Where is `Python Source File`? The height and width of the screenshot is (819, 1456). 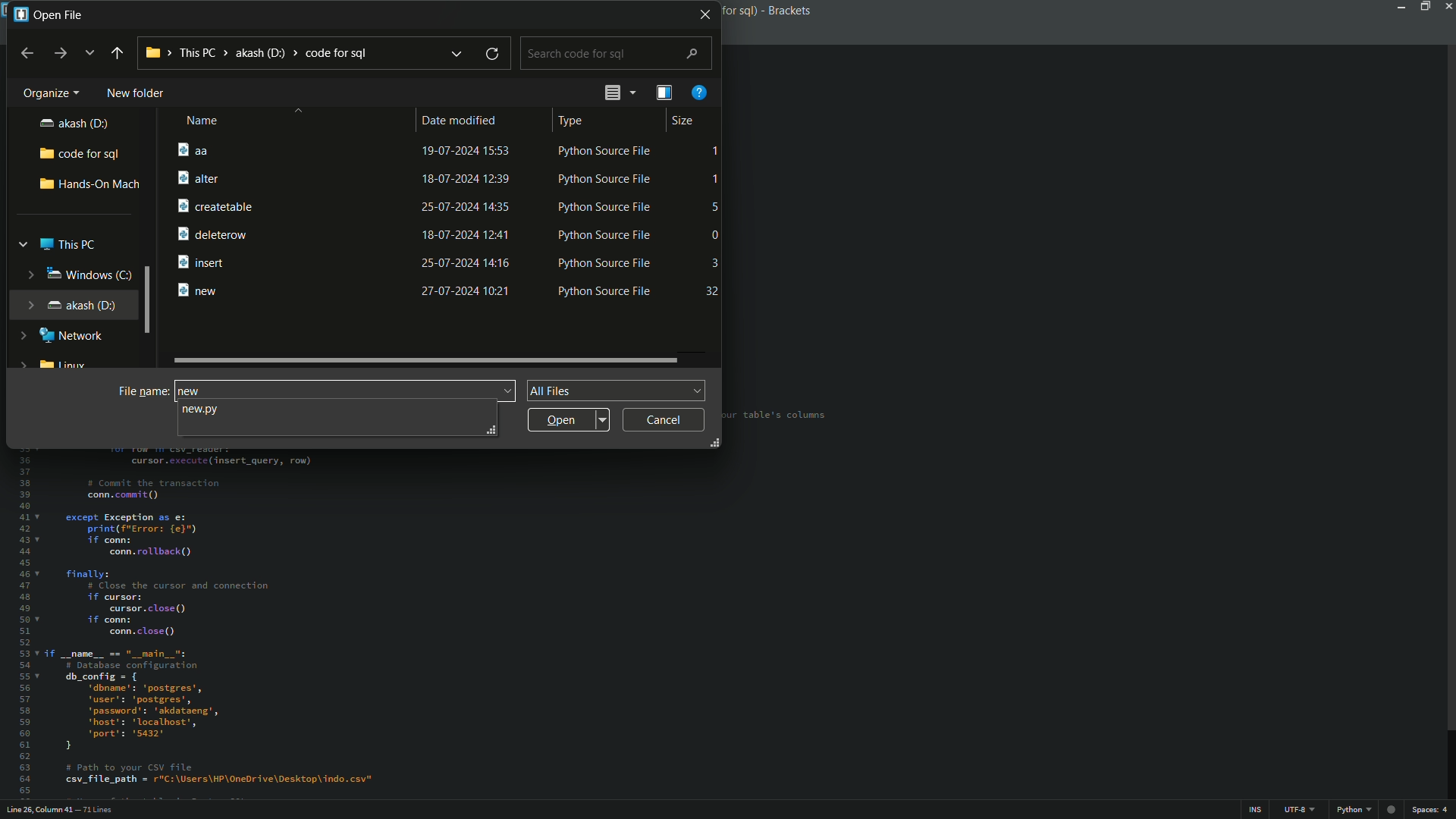 Python Source File is located at coordinates (607, 178).